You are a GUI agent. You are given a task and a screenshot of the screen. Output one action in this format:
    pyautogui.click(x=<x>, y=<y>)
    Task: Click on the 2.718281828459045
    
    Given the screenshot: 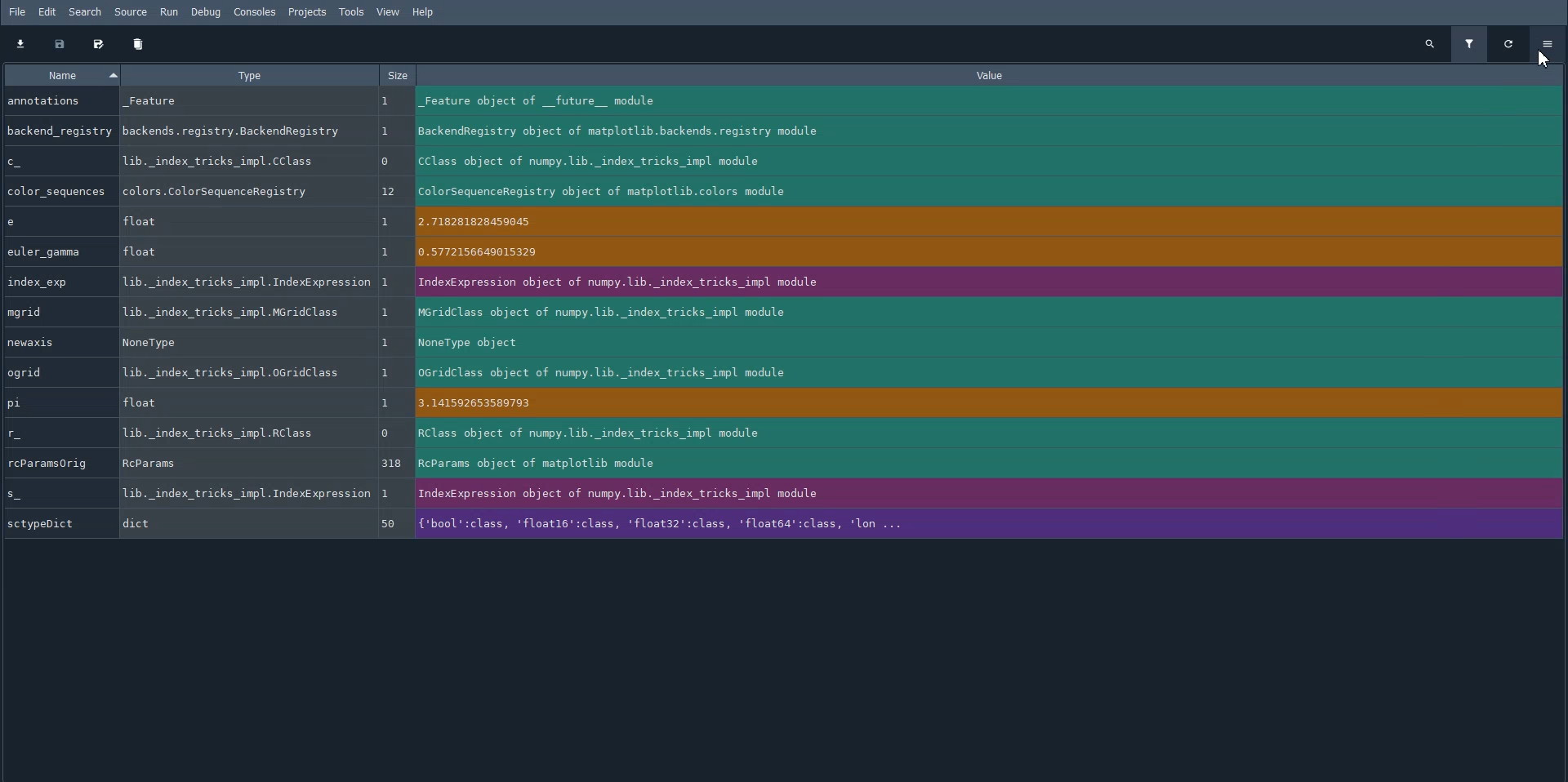 What is the action you would take?
    pyautogui.click(x=991, y=224)
    